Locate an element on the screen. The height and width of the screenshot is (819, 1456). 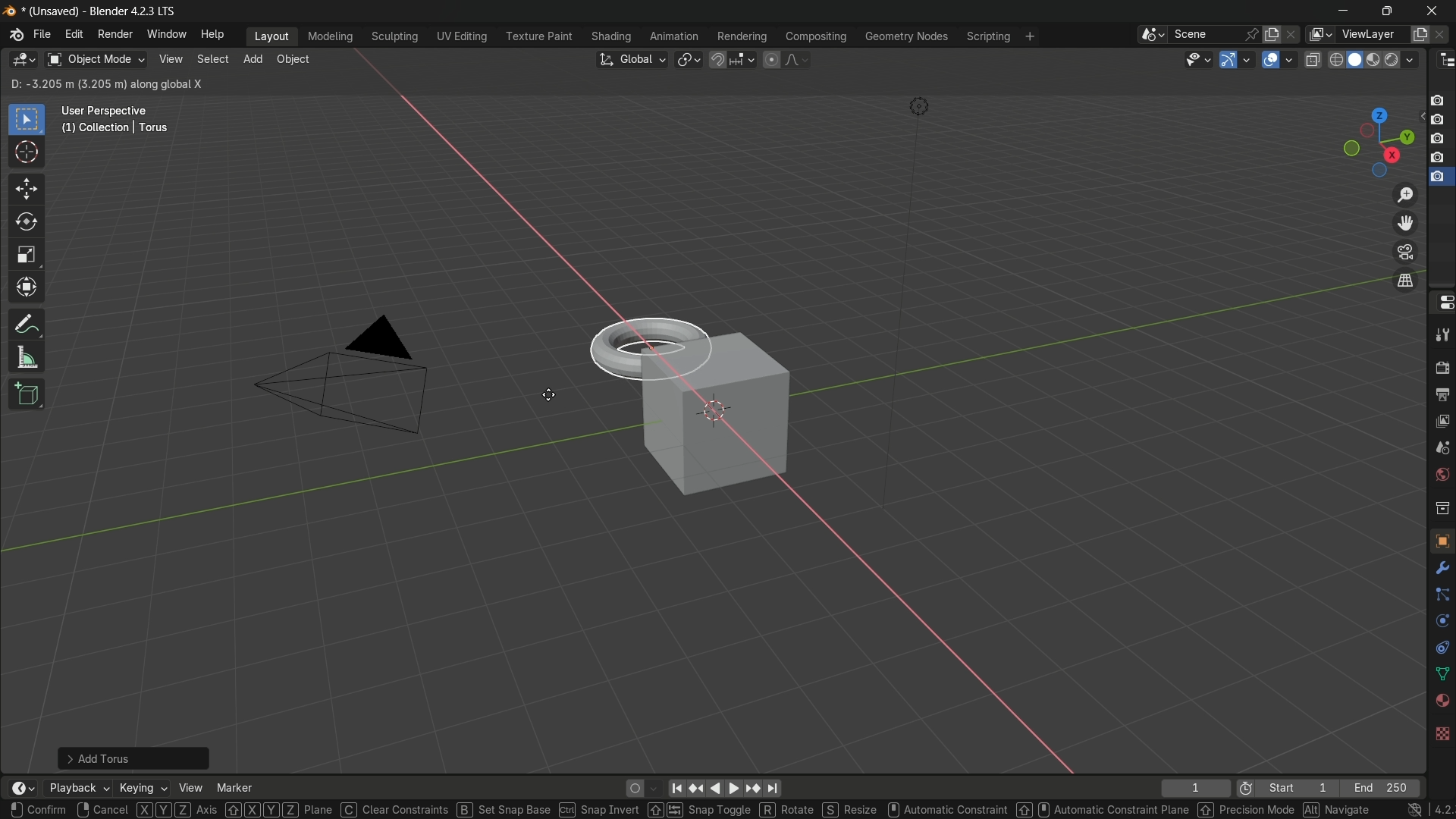
view is located at coordinates (190, 788).